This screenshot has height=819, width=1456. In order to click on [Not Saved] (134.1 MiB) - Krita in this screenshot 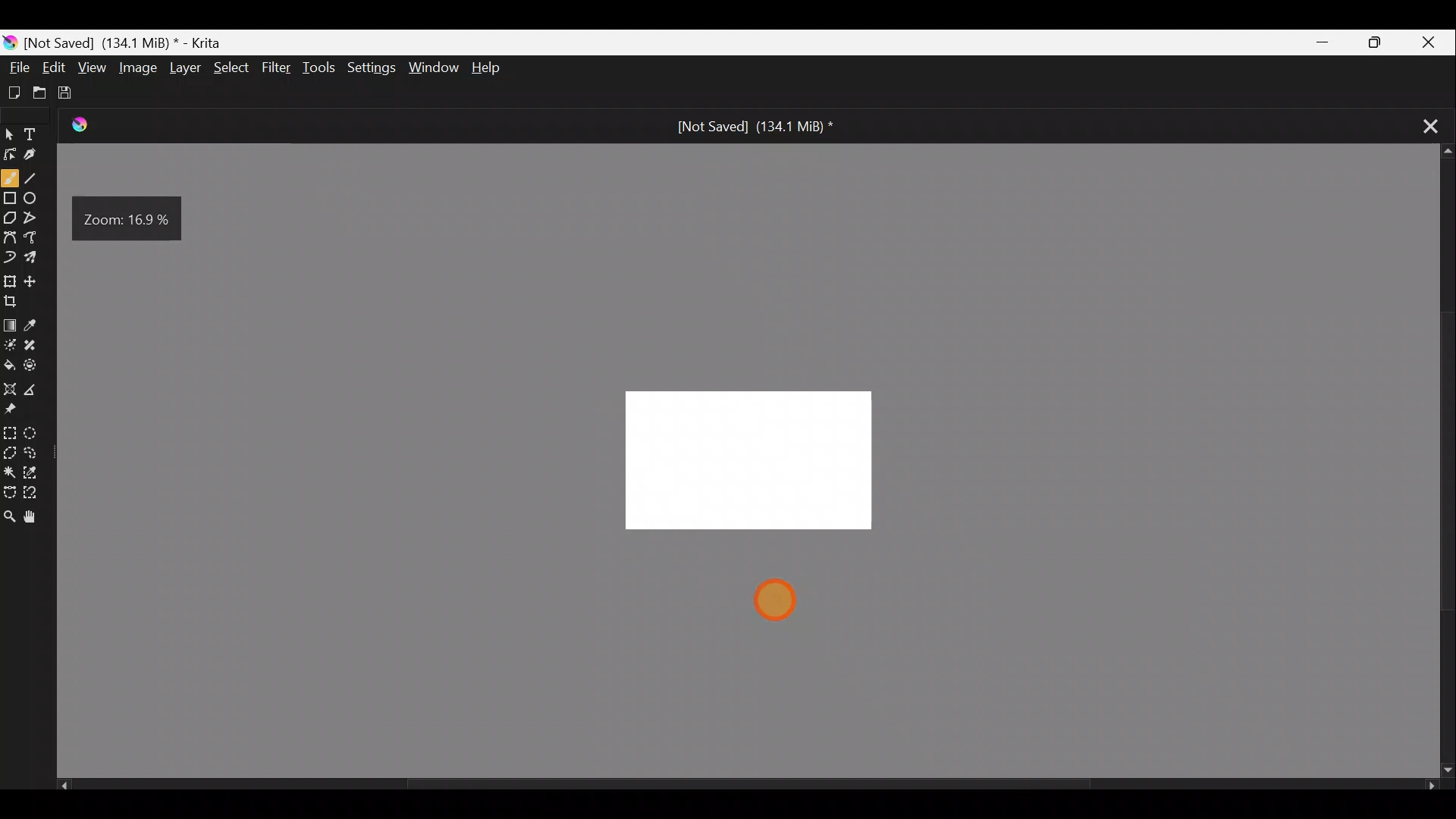, I will do `click(160, 39)`.